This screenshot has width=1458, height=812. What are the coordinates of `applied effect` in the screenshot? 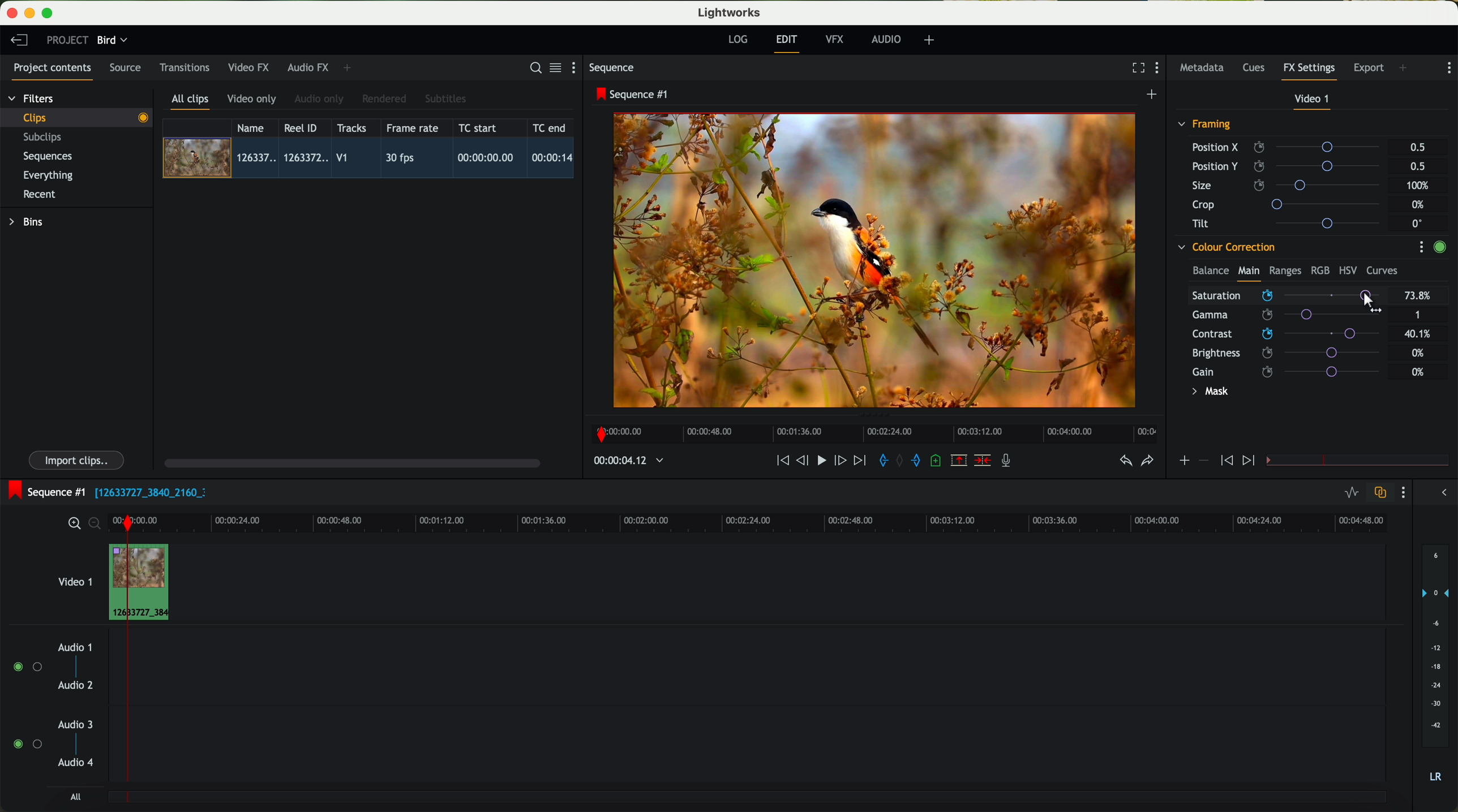 It's located at (877, 260).